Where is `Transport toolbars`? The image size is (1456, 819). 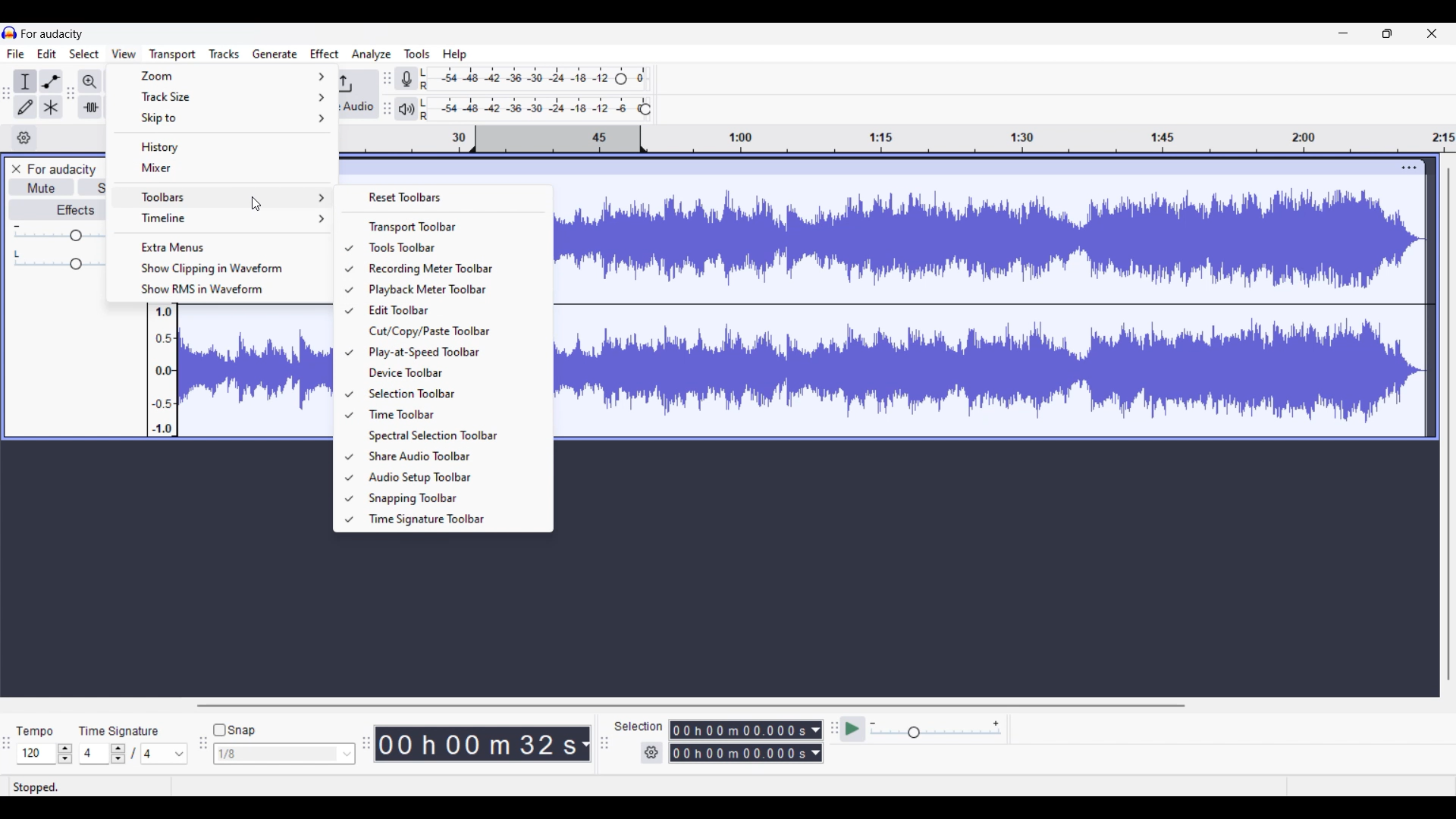
Transport toolbars is located at coordinates (443, 227).